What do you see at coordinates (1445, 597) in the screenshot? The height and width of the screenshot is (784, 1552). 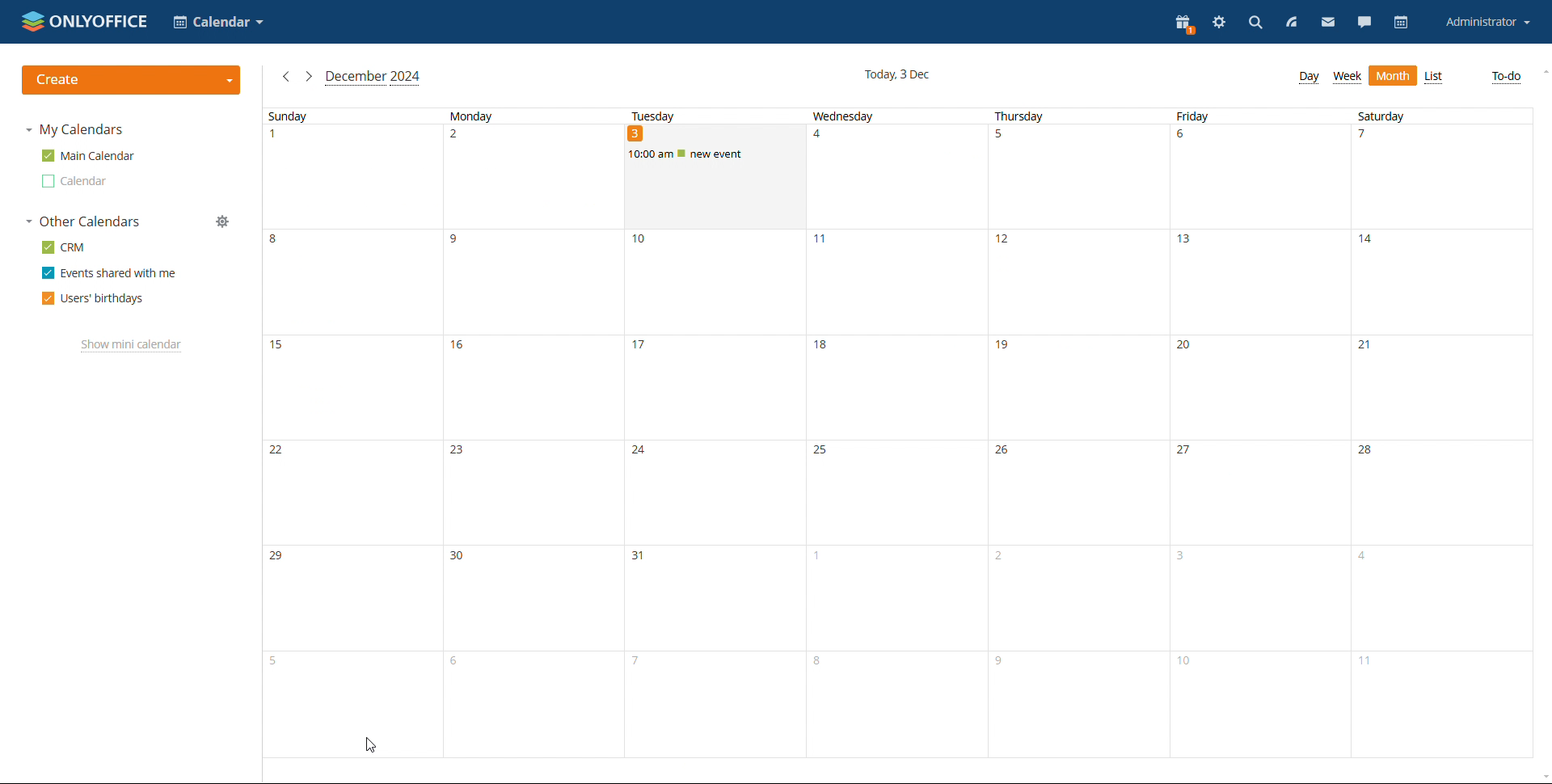 I see `4` at bounding box center [1445, 597].